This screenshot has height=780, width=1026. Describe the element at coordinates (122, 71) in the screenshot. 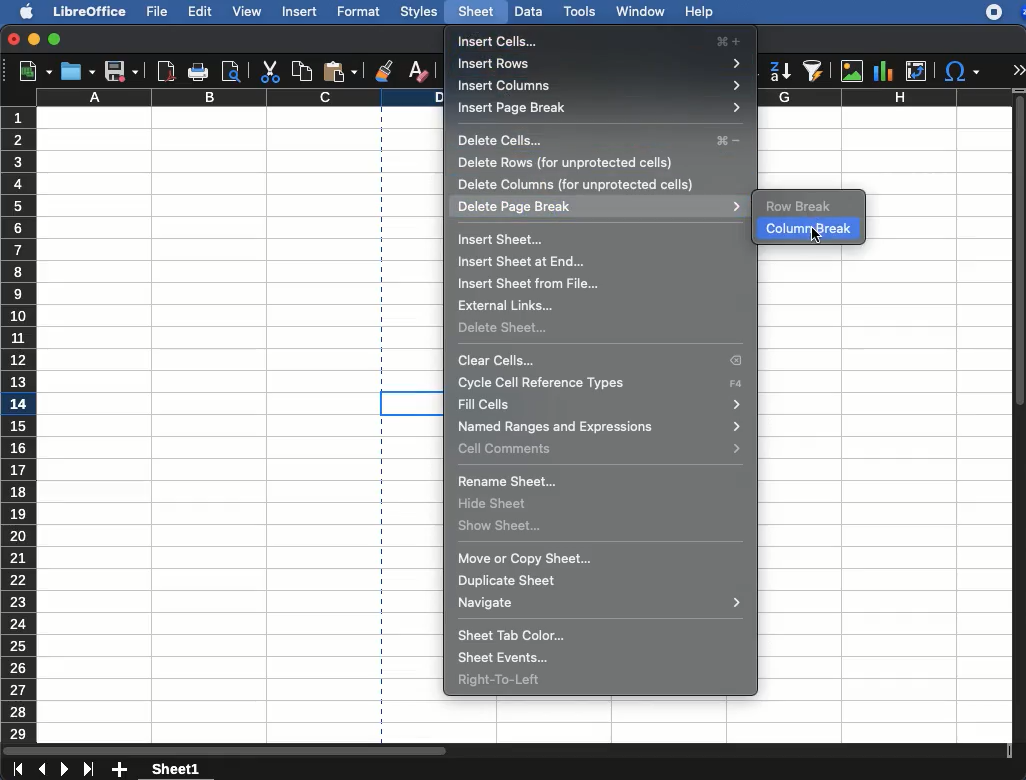

I see `save` at that location.